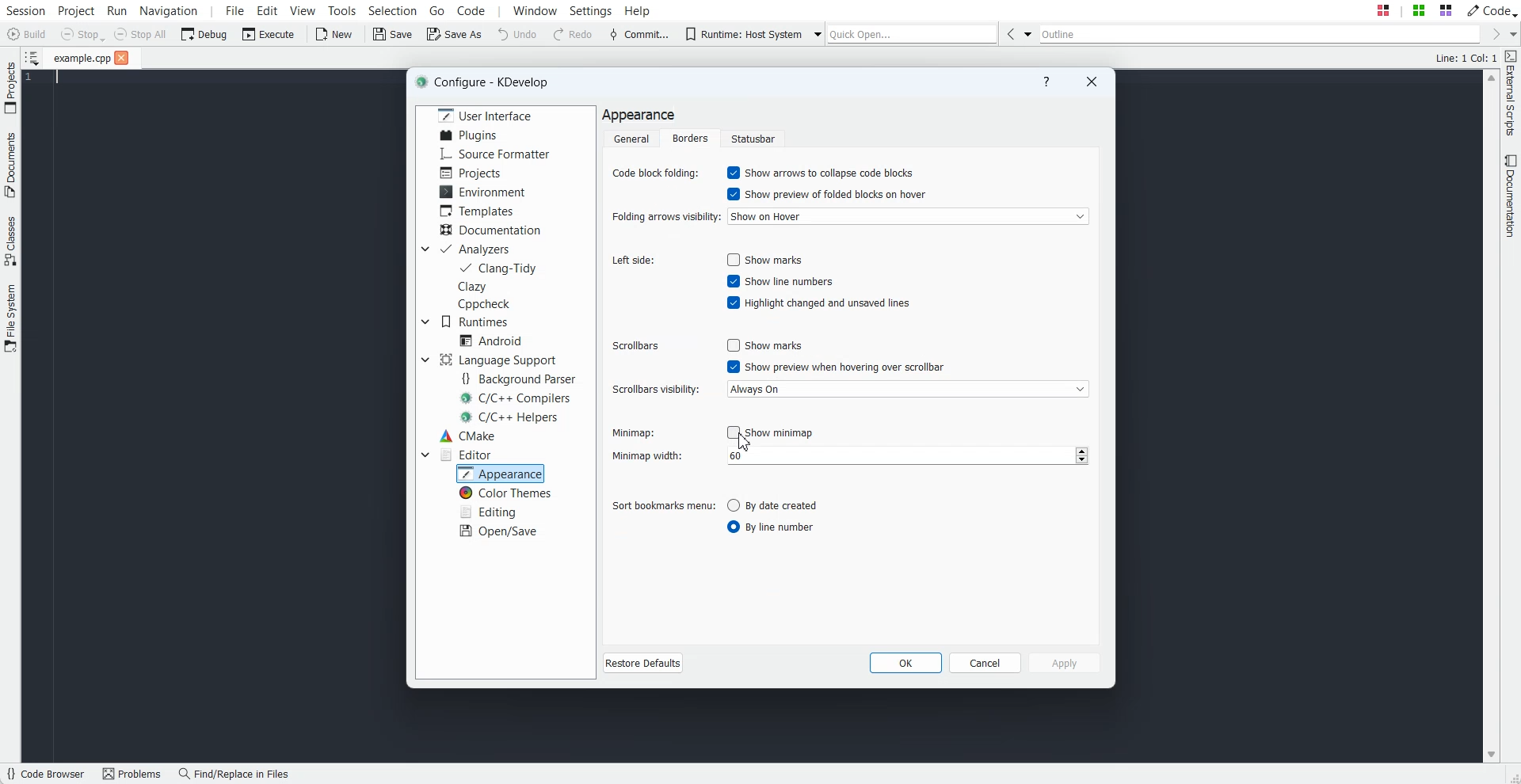 The height and width of the screenshot is (784, 1521). What do you see at coordinates (33, 56) in the screenshot?
I see `Show sorted list` at bounding box center [33, 56].